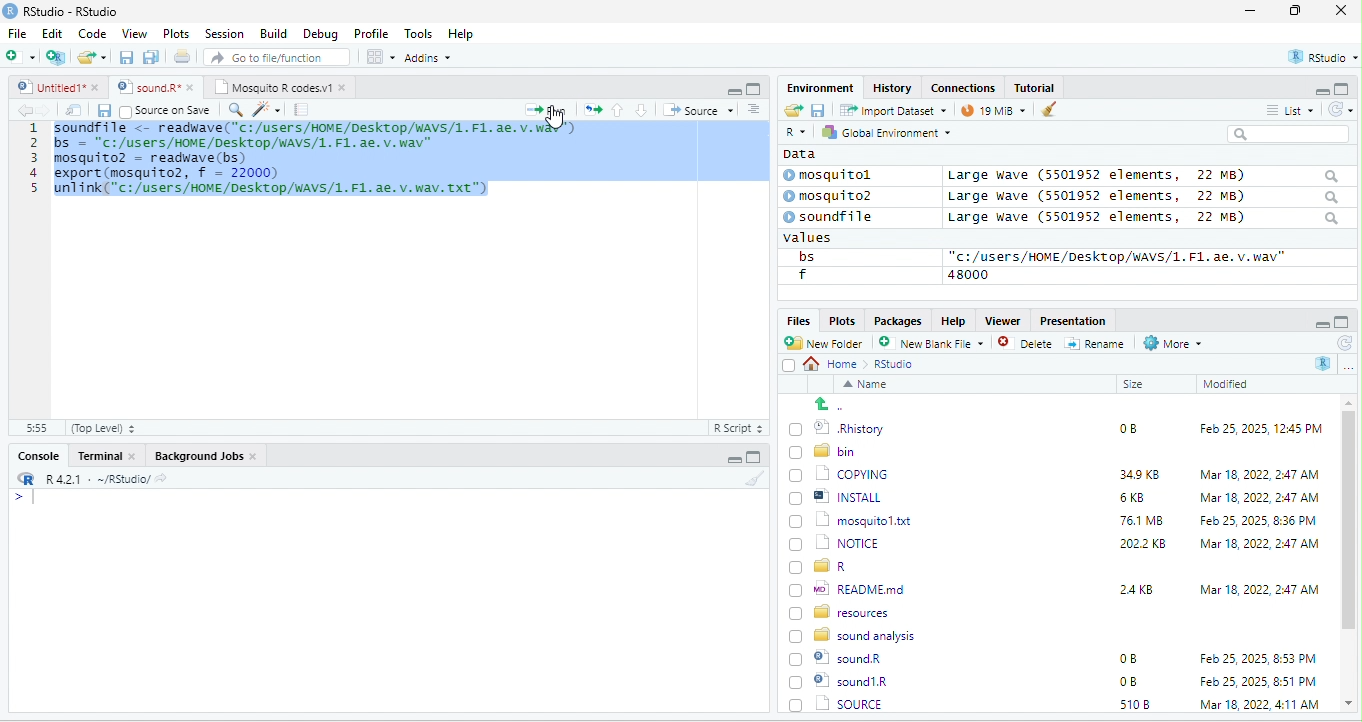 The width and height of the screenshot is (1362, 722). Describe the element at coordinates (184, 59) in the screenshot. I see `open` at that location.